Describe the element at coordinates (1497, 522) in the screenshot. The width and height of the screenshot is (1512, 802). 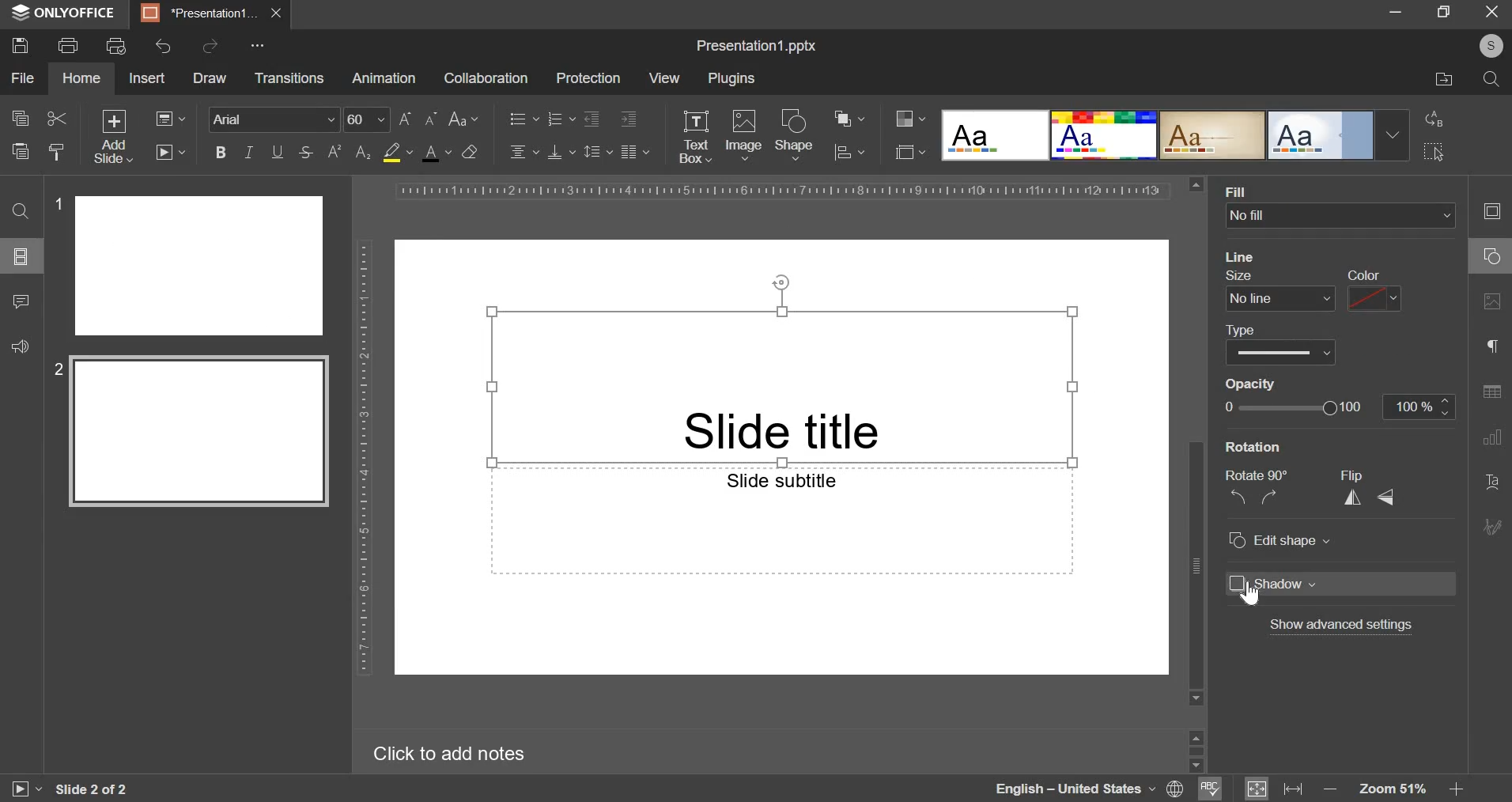
I see `draw tools` at that location.